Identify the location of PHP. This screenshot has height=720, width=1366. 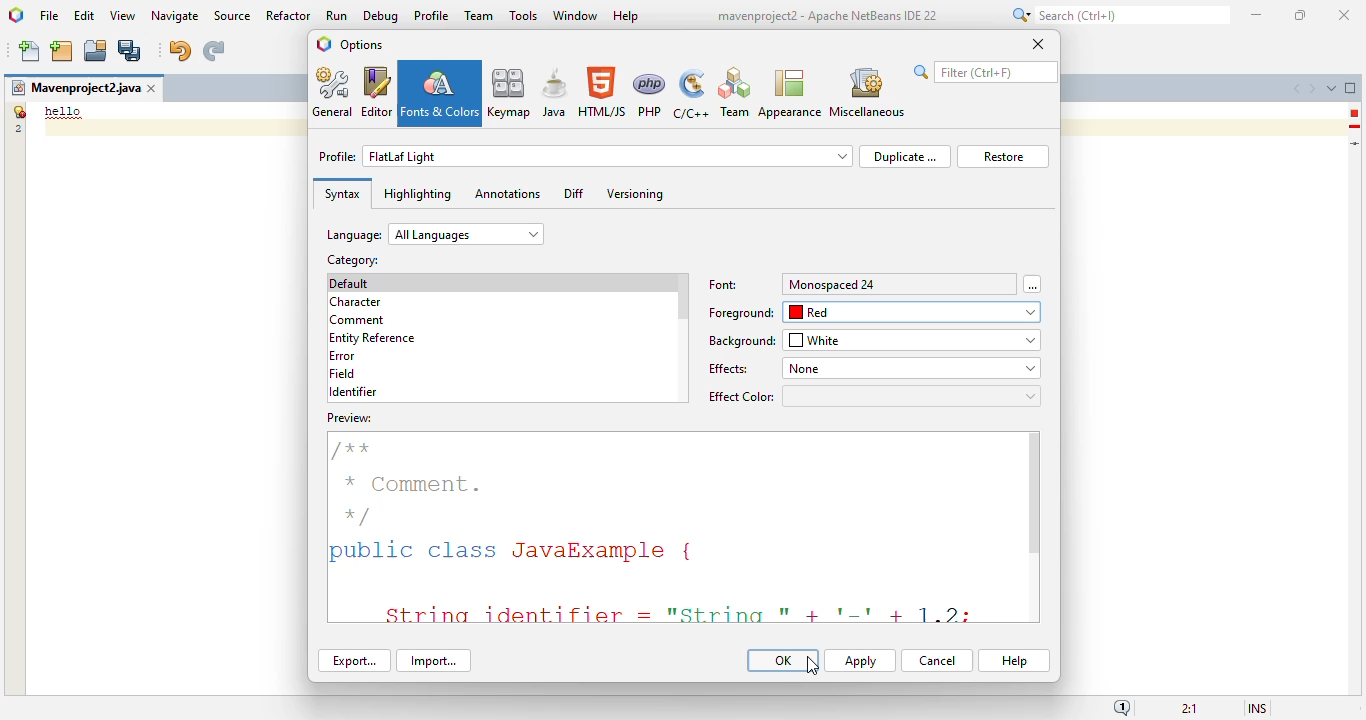
(650, 94).